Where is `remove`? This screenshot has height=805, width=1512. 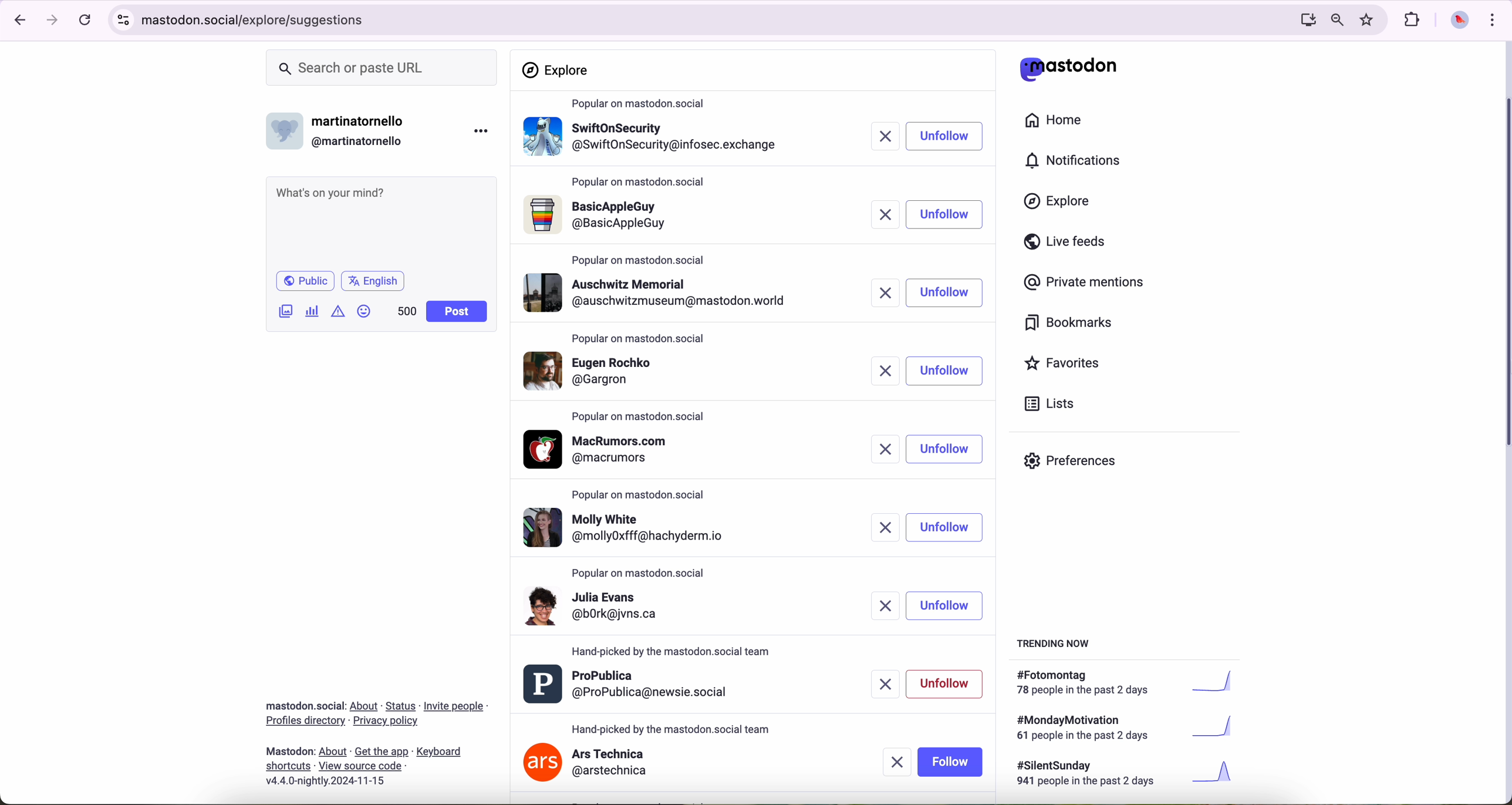 remove is located at coordinates (895, 763).